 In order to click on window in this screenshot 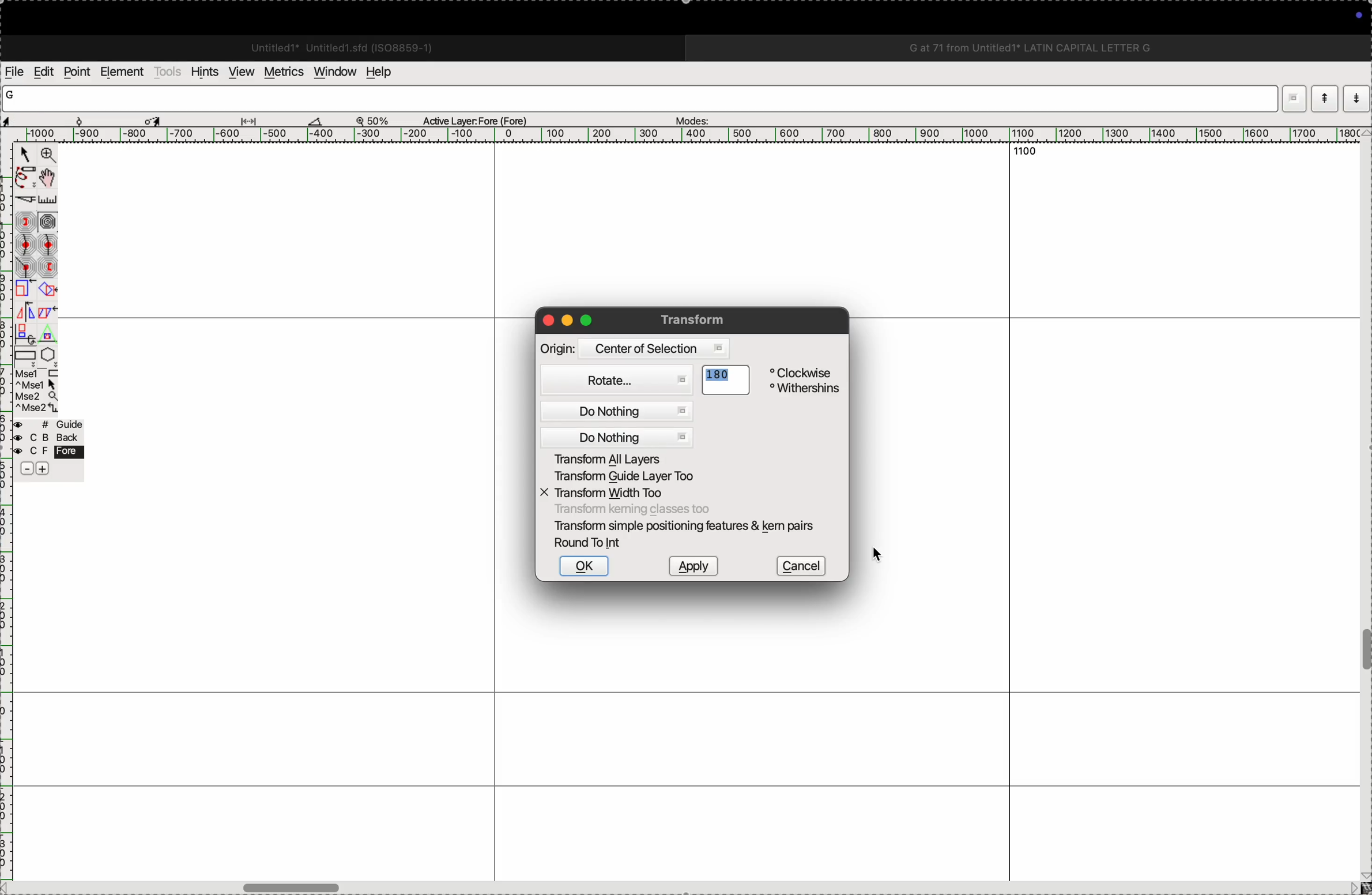, I will do `click(336, 73)`.